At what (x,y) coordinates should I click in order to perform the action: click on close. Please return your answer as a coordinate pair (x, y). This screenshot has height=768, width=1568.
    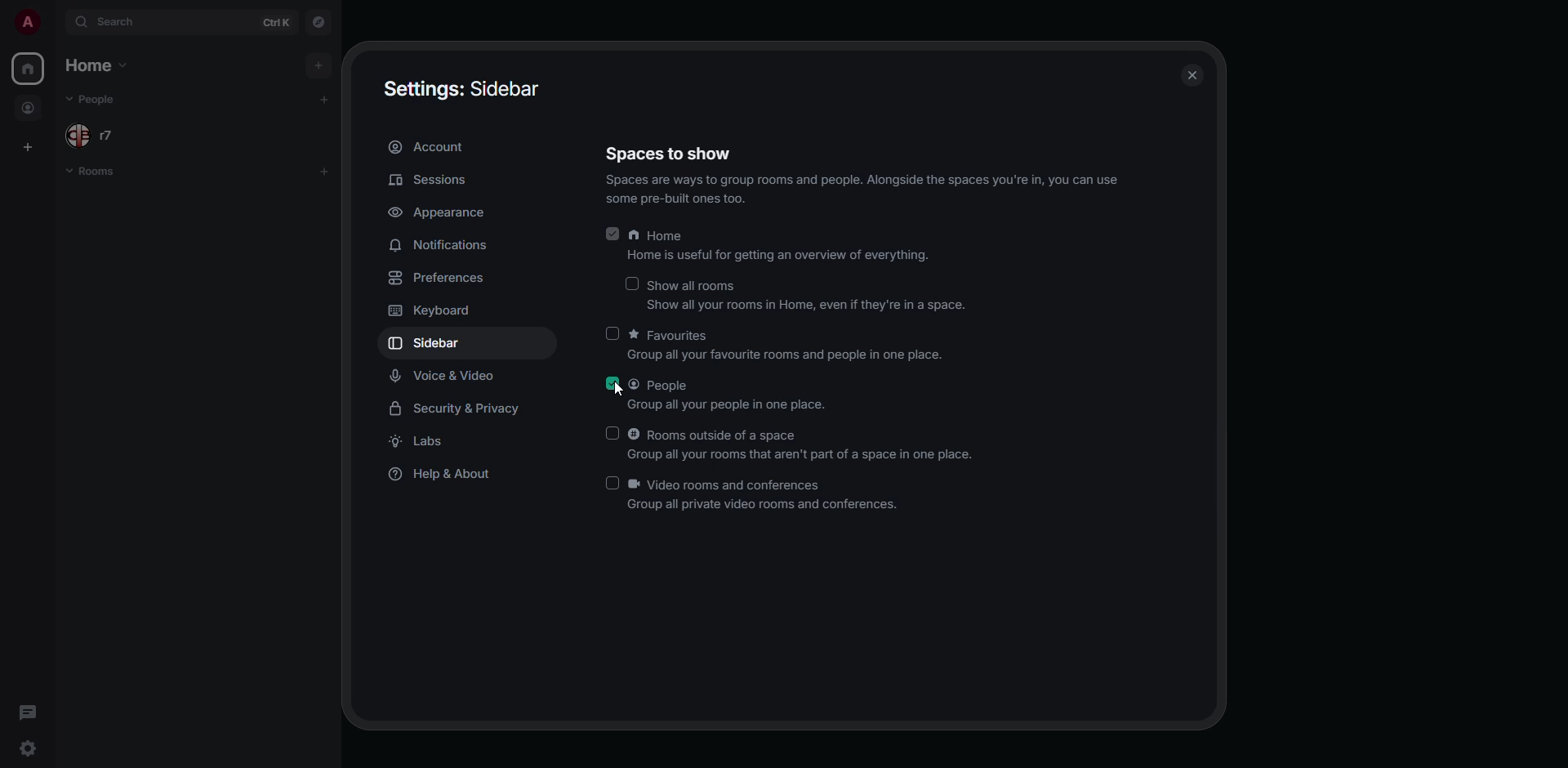
    Looking at the image, I should click on (1188, 76).